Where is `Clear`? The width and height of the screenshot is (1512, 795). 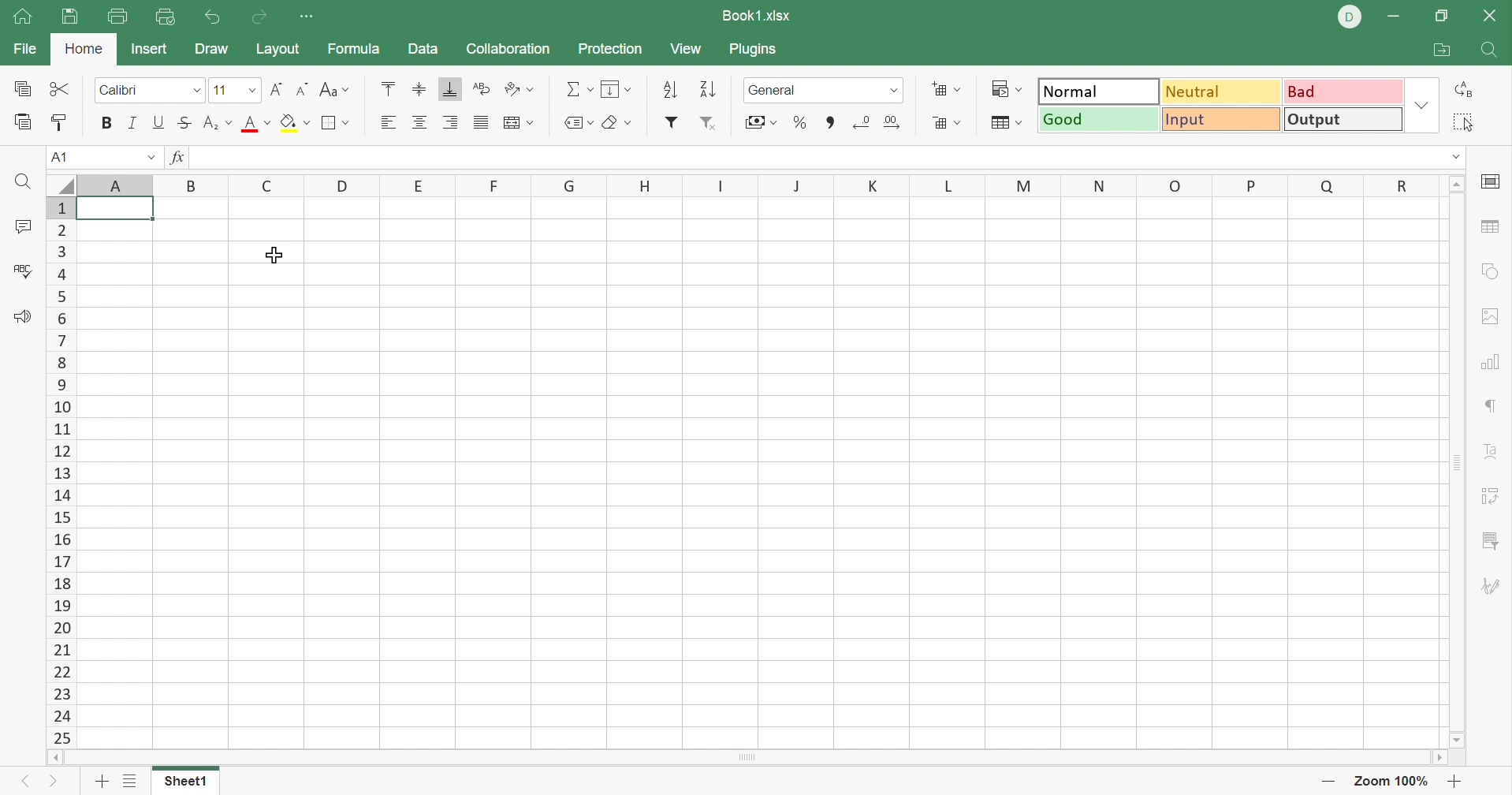
Clear is located at coordinates (617, 123).